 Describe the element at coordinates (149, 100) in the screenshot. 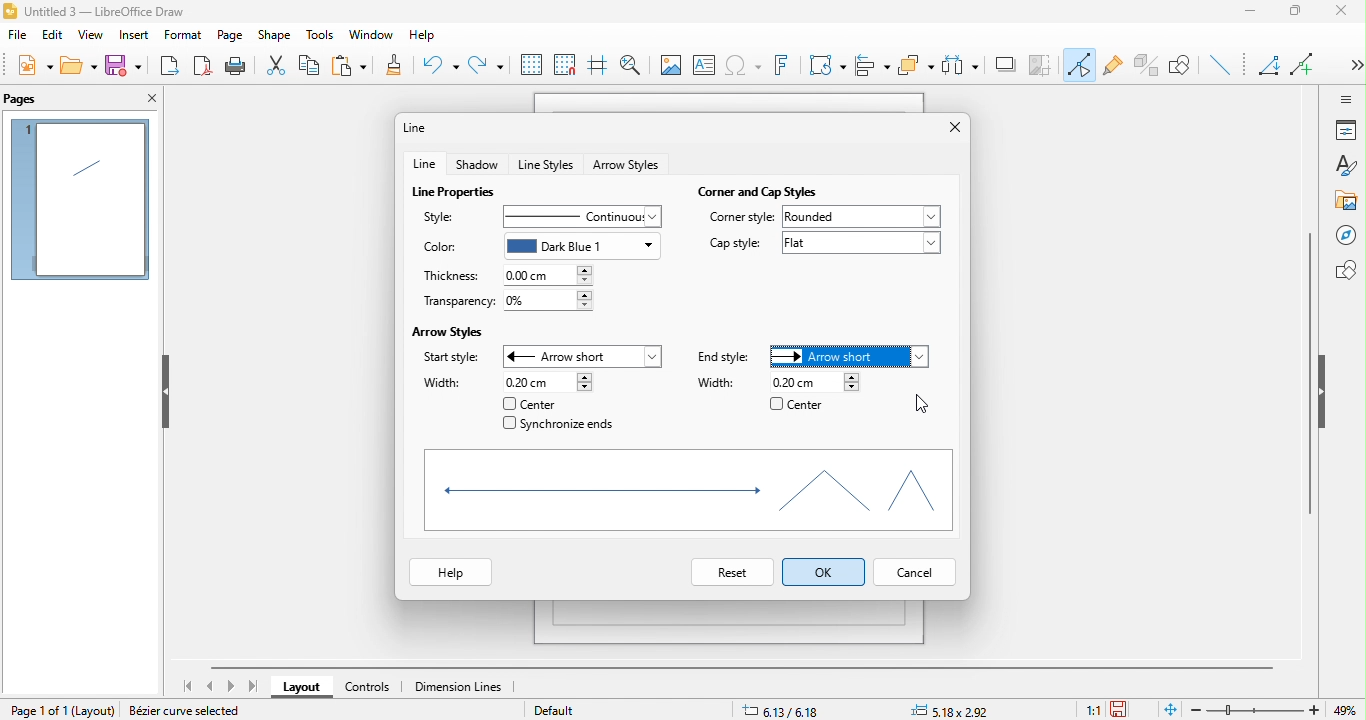

I see `close` at that location.